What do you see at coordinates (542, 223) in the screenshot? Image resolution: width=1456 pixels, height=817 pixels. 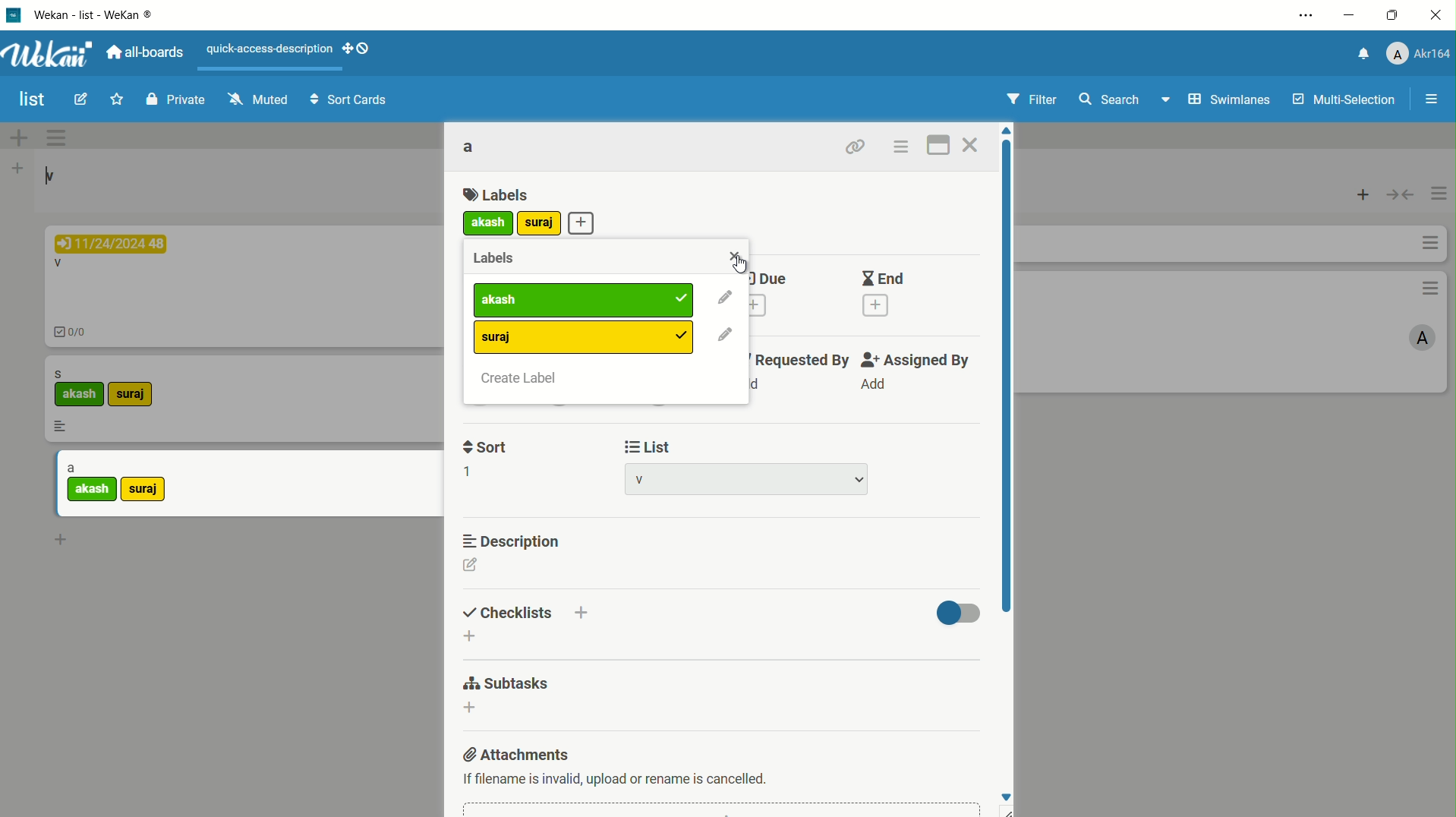 I see `add more label` at bounding box center [542, 223].